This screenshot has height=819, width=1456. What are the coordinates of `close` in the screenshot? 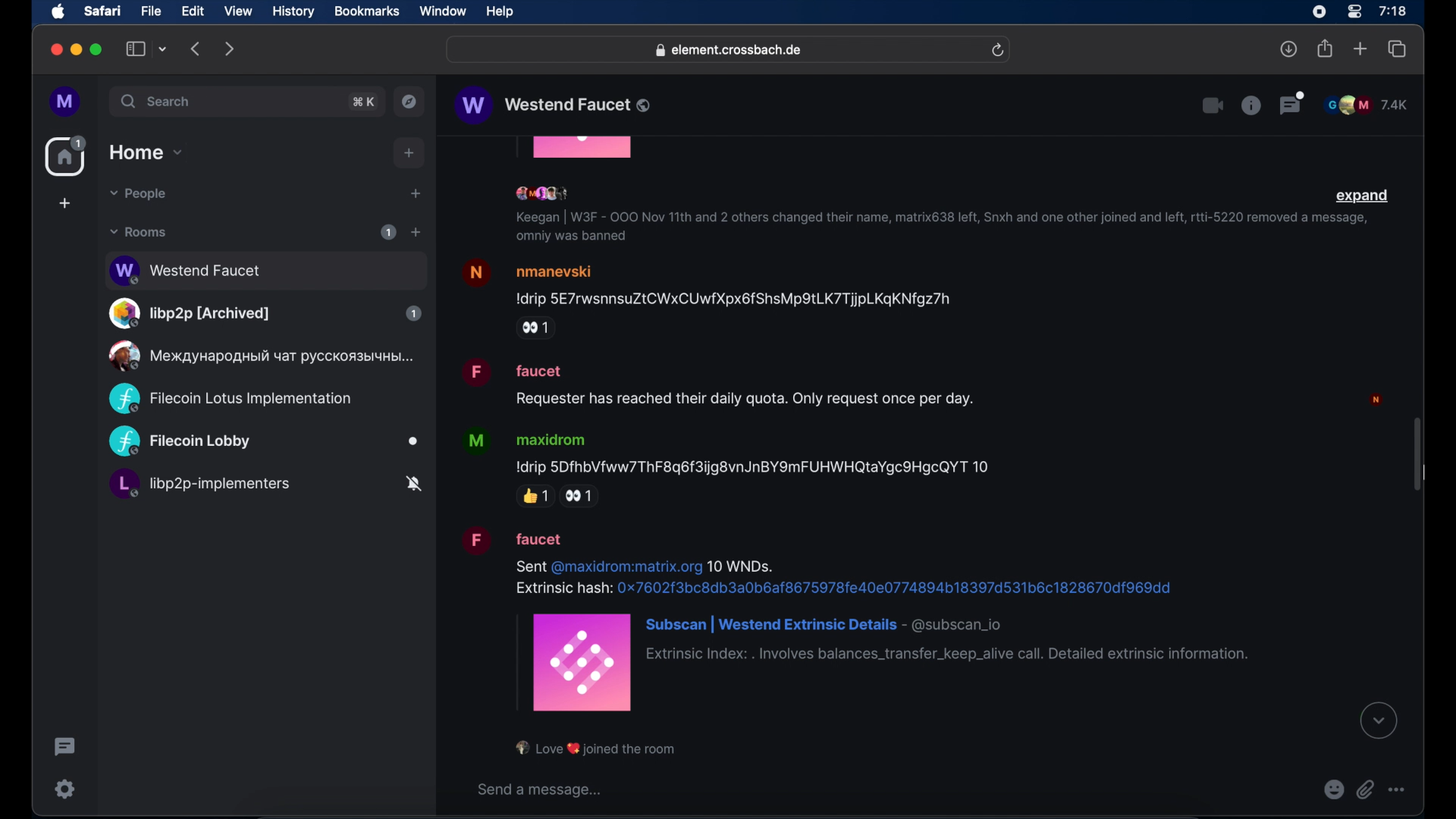 It's located at (55, 50).